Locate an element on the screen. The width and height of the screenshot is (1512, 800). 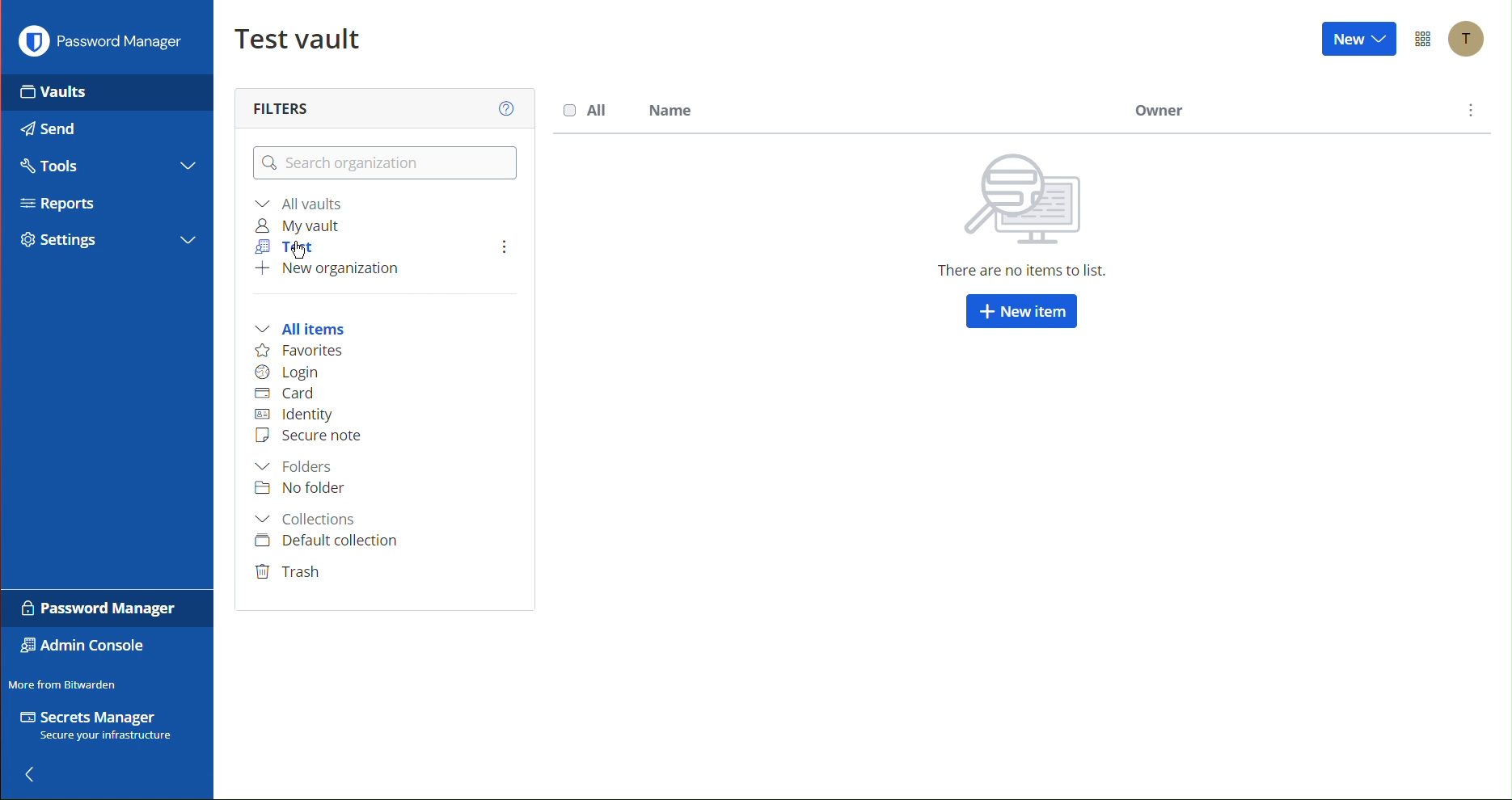
Settings is located at coordinates (61, 243).